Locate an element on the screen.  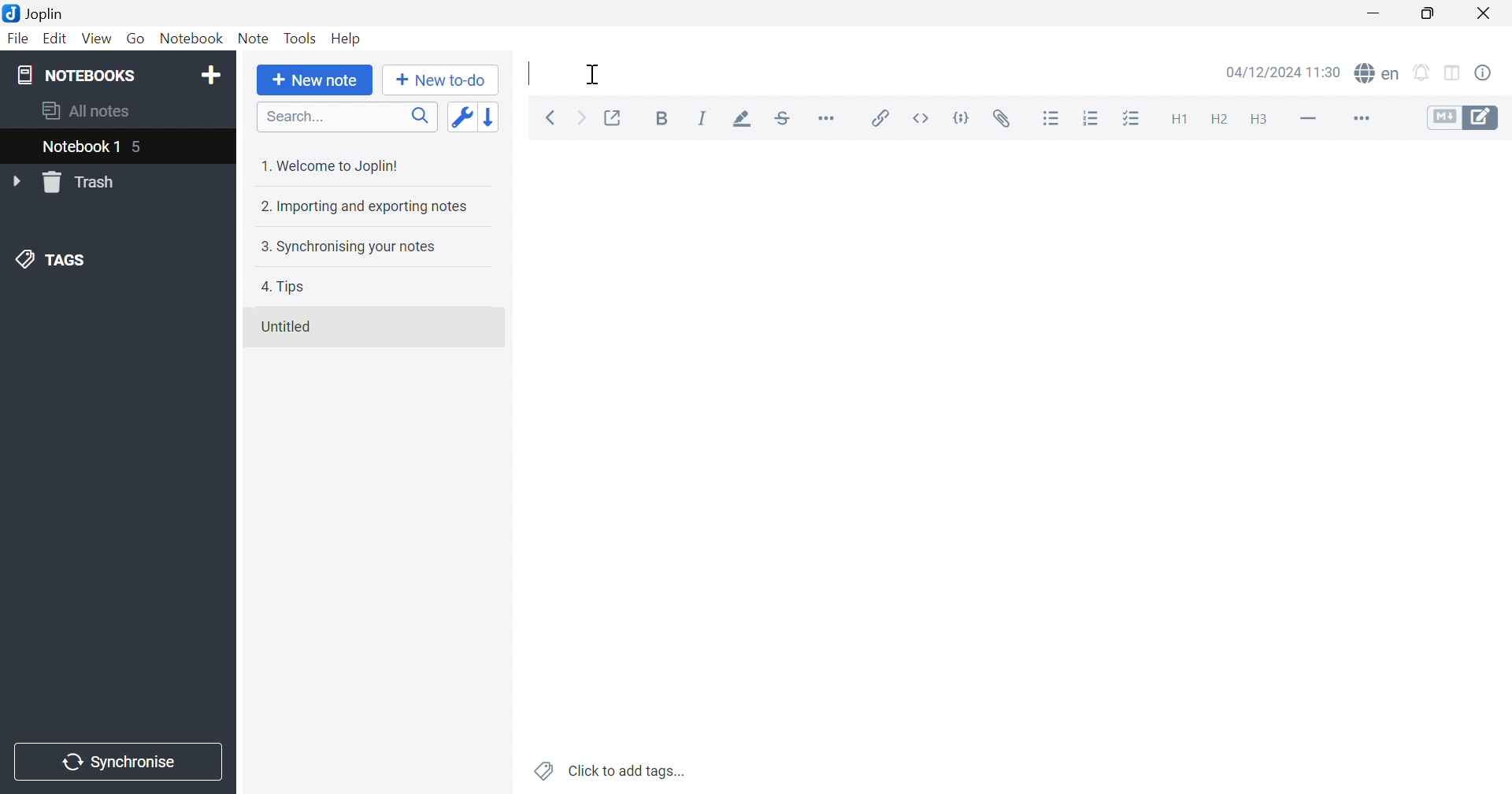
Drop Down is located at coordinates (17, 180).